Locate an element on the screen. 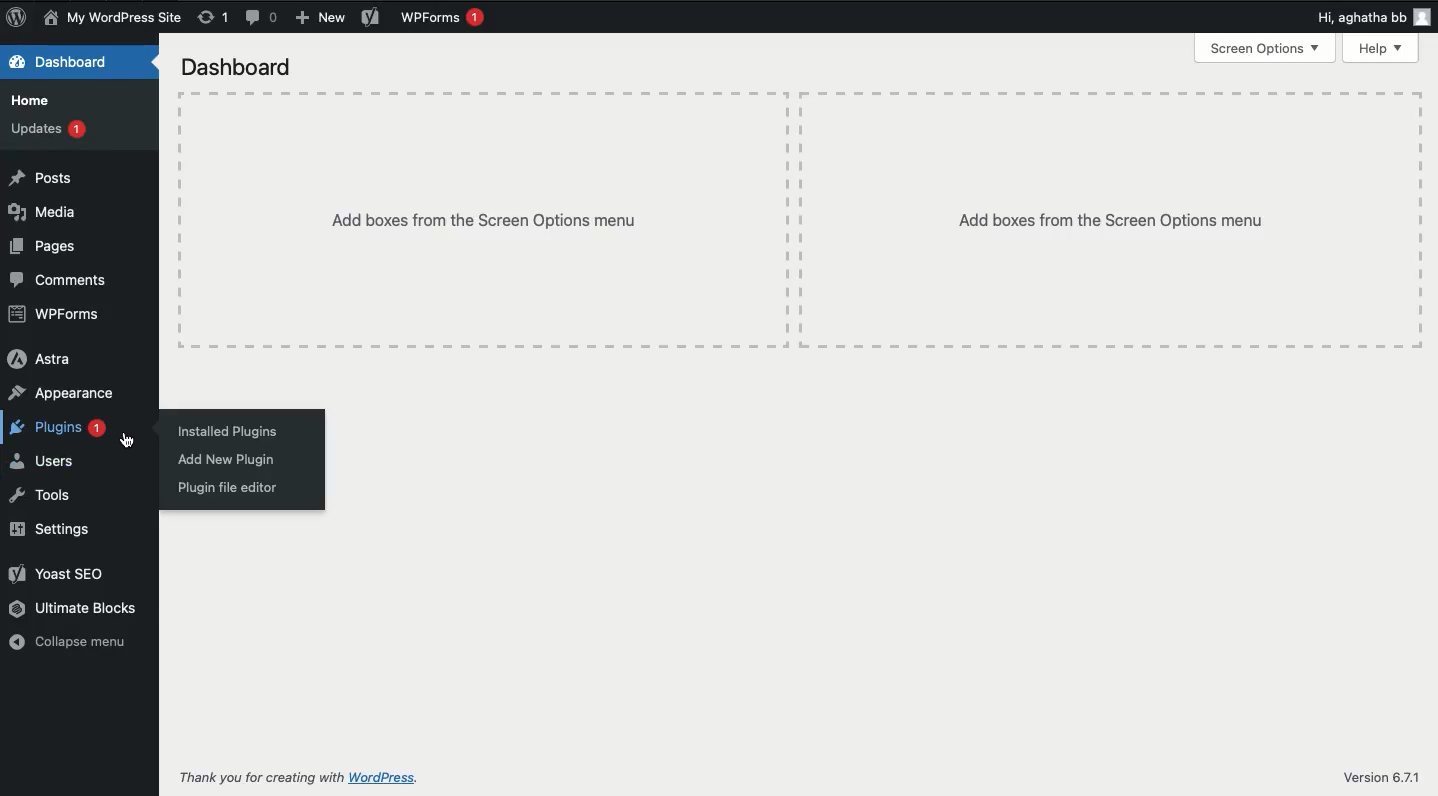 The image size is (1438, 796). Add new plugin is located at coordinates (228, 459).